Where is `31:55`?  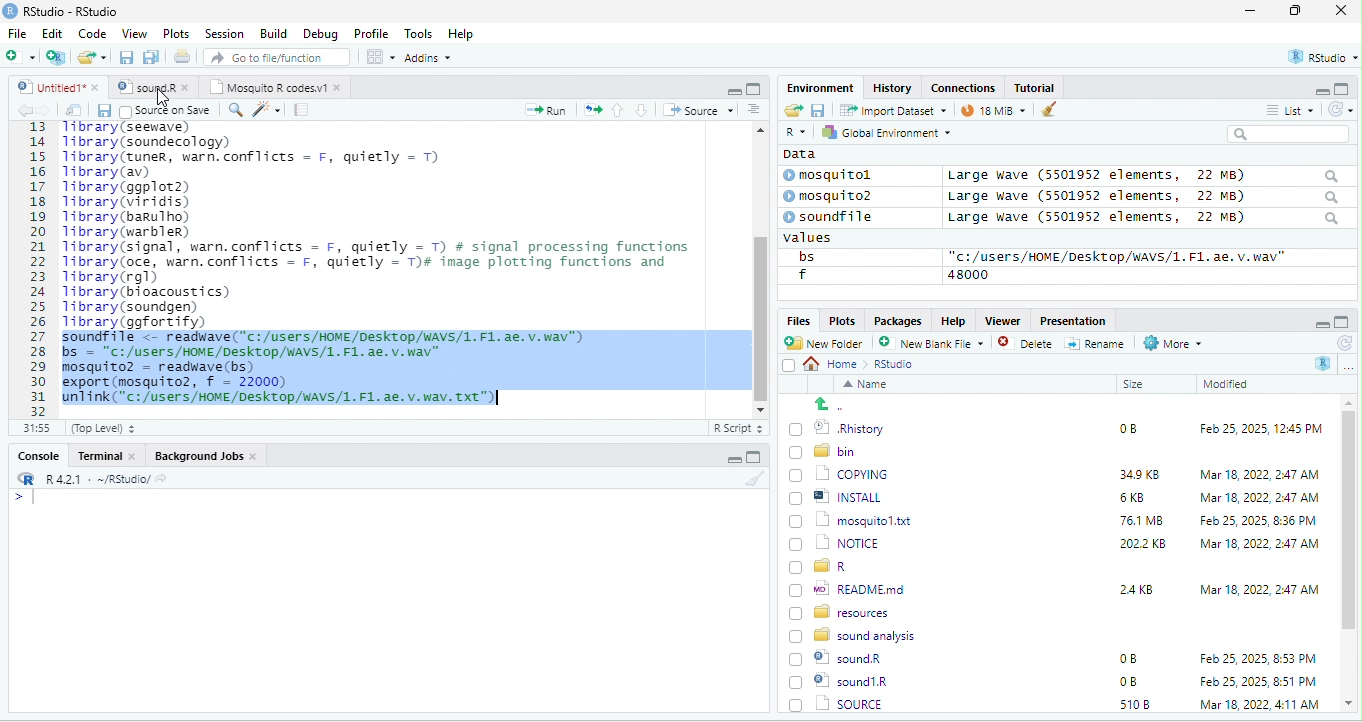 31:55 is located at coordinates (34, 428).